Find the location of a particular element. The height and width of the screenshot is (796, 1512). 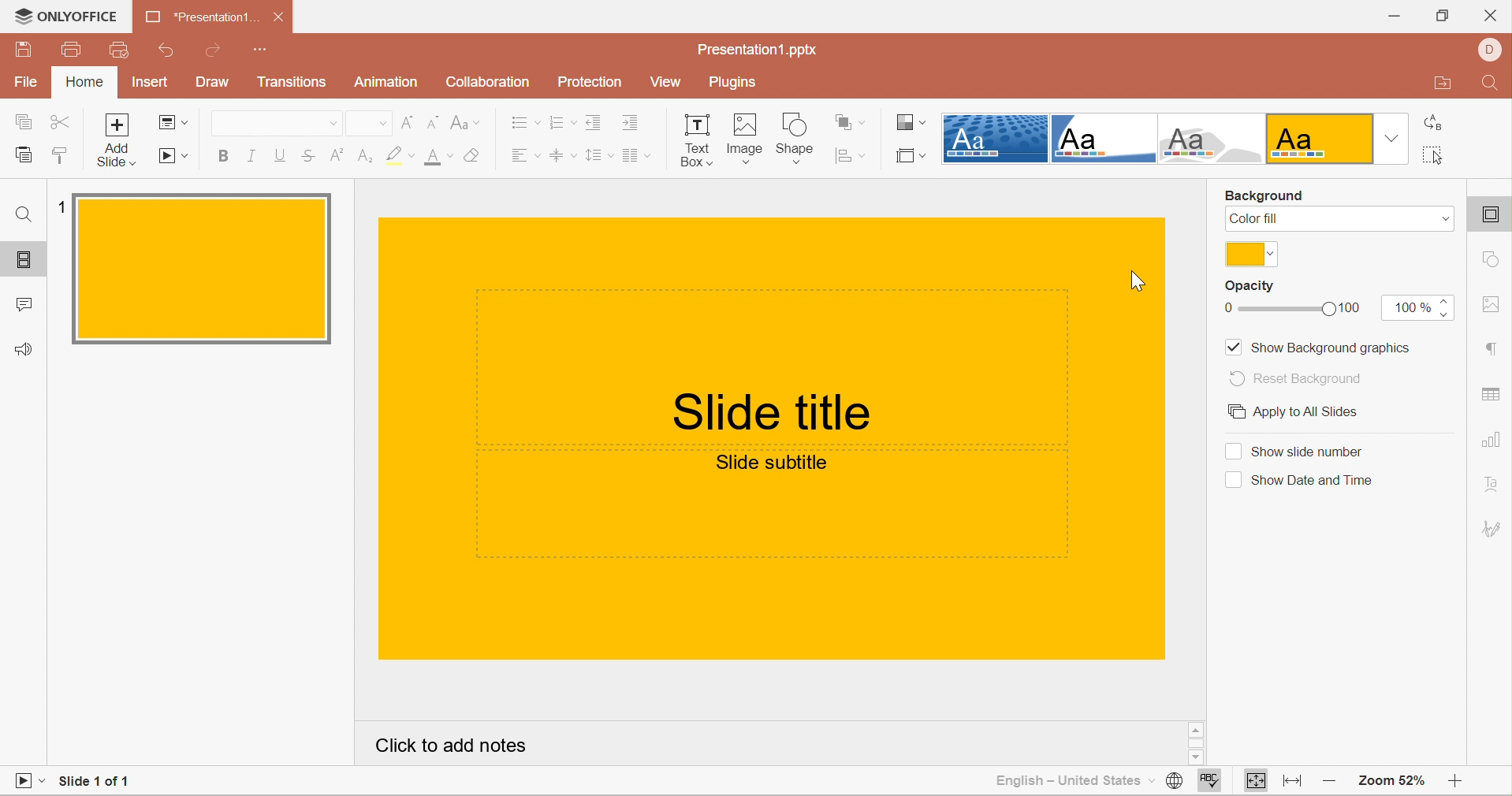

Increment font size is located at coordinates (406, 121).